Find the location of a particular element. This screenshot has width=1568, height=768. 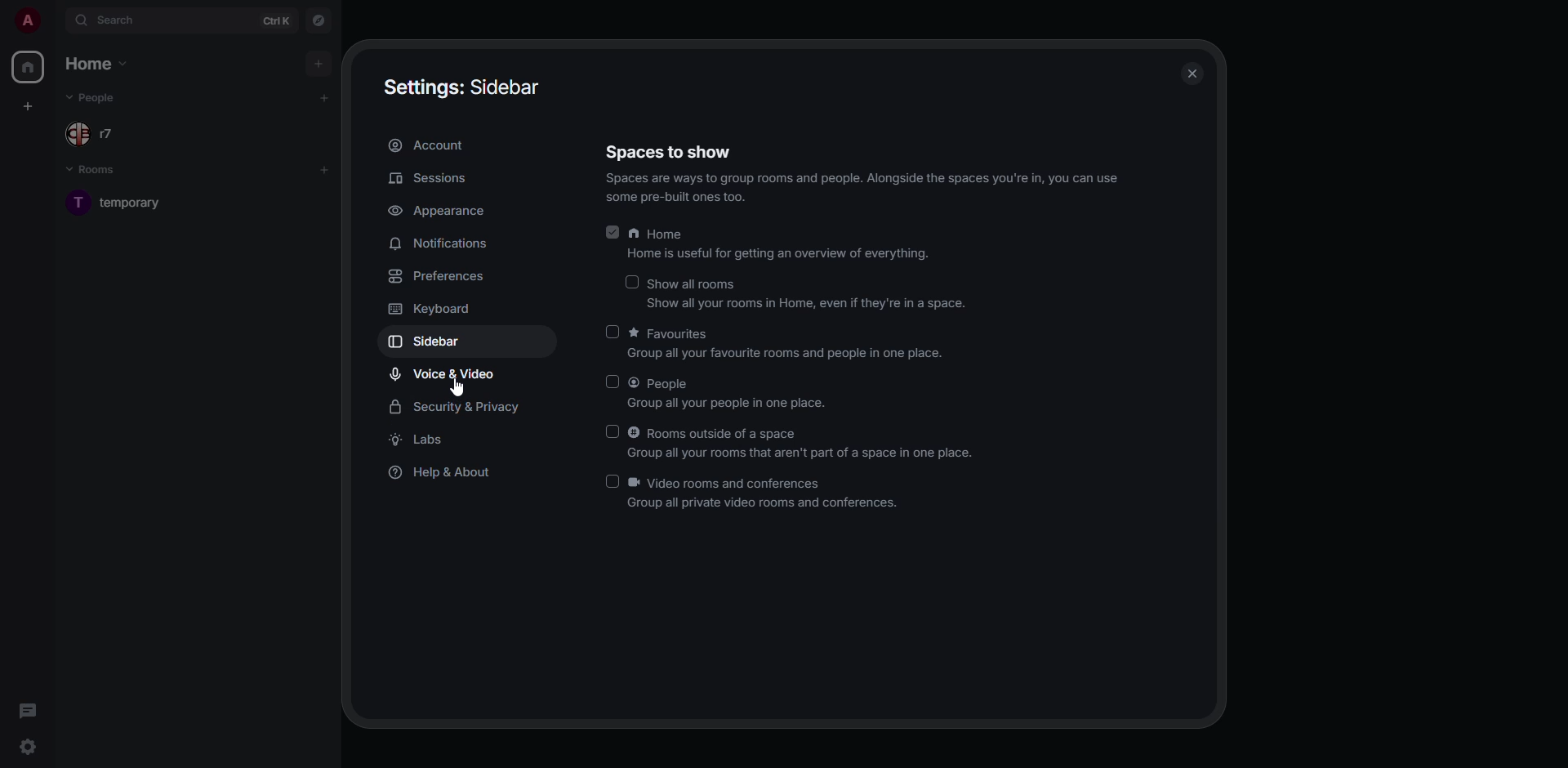

people is located at coordinates (686, 384).